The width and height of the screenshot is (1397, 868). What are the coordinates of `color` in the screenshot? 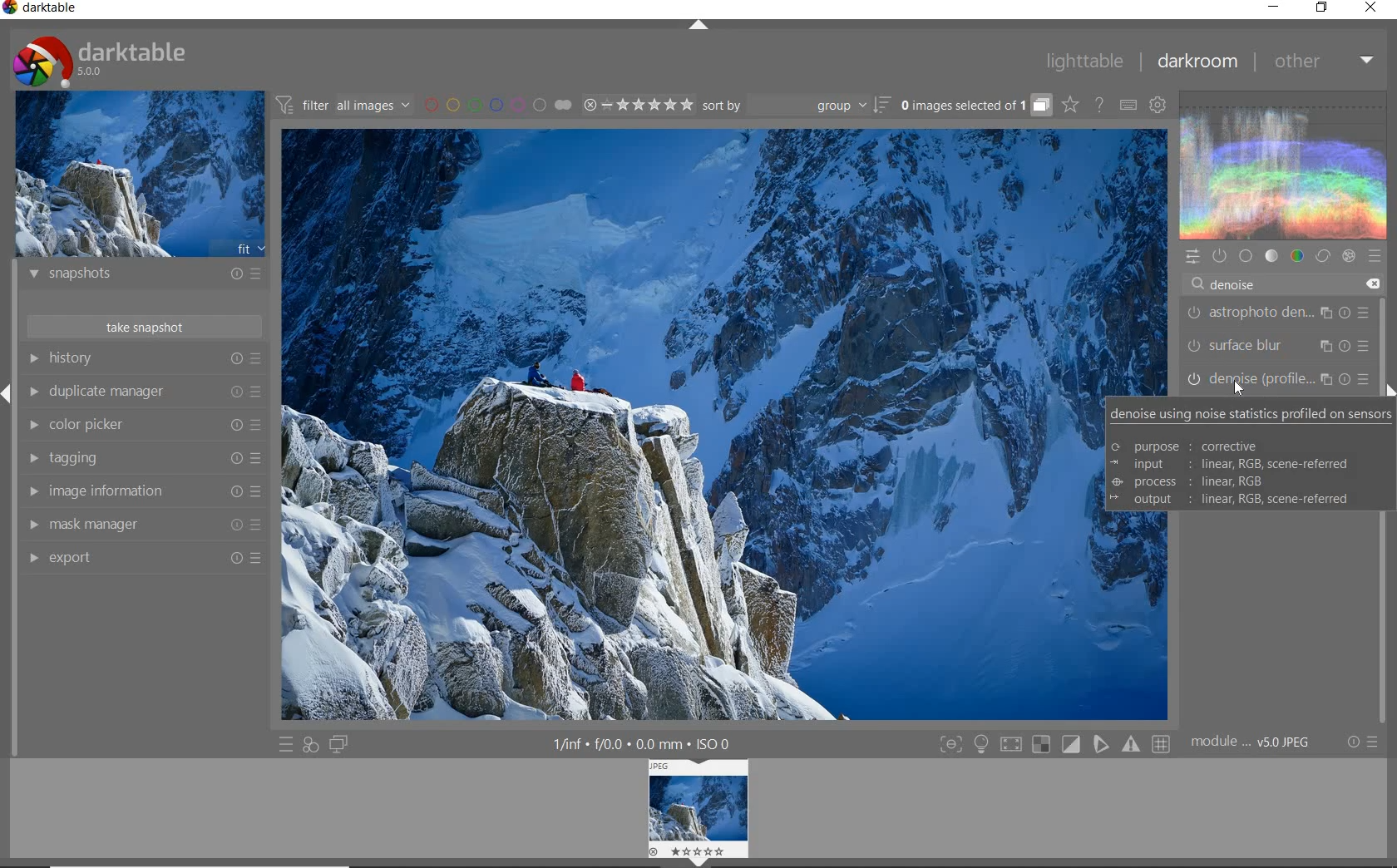 It's located at (1298, 255).